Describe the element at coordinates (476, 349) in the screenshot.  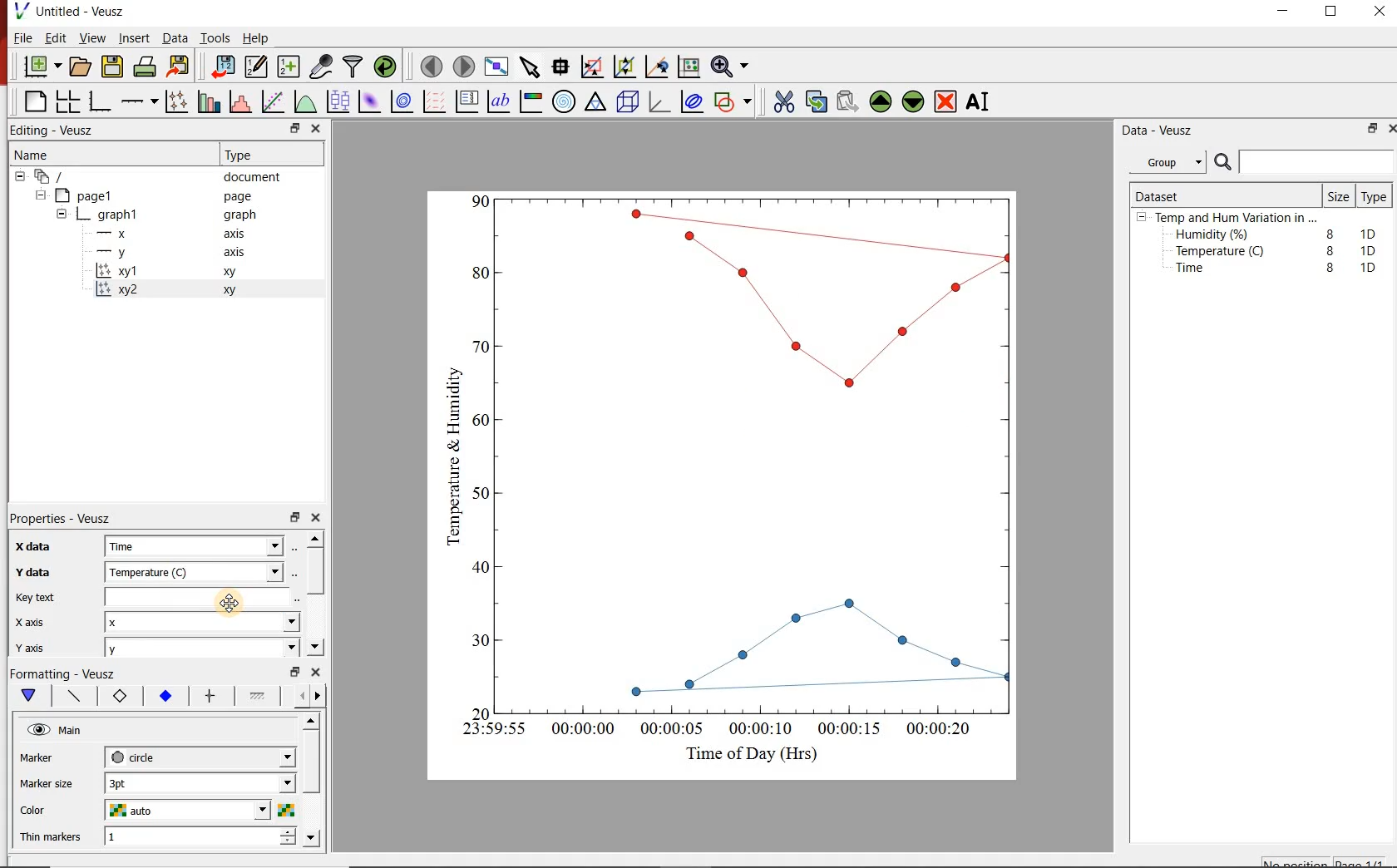
I see `70` at that location.